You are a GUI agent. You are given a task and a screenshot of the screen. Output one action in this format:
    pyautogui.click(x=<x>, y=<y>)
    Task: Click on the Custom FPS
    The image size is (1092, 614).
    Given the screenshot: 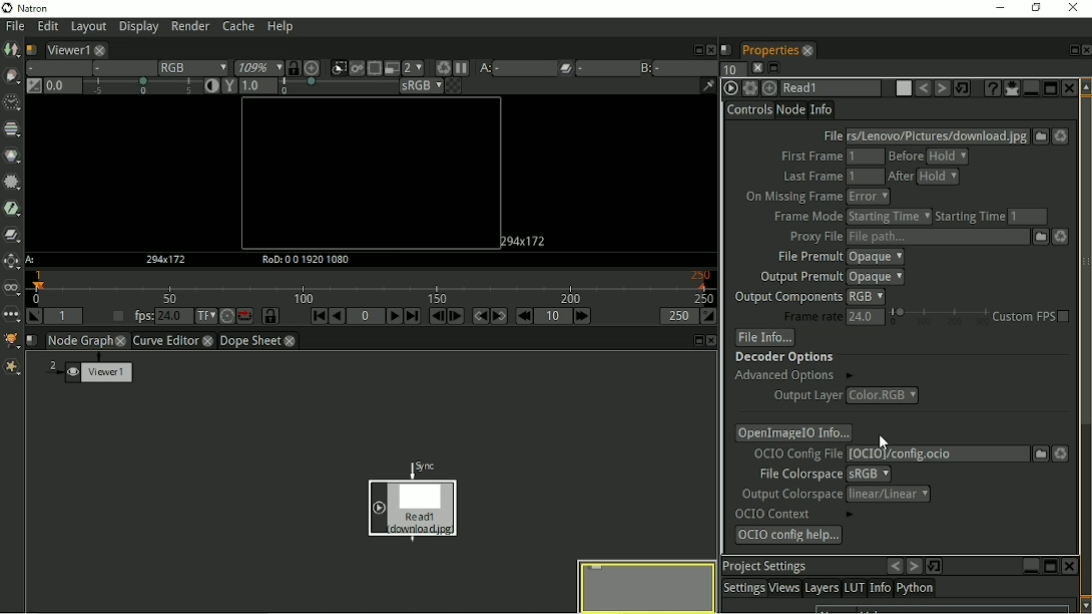 What is the action you would take?
    pyautogui.click(x=1032, y=315)
    